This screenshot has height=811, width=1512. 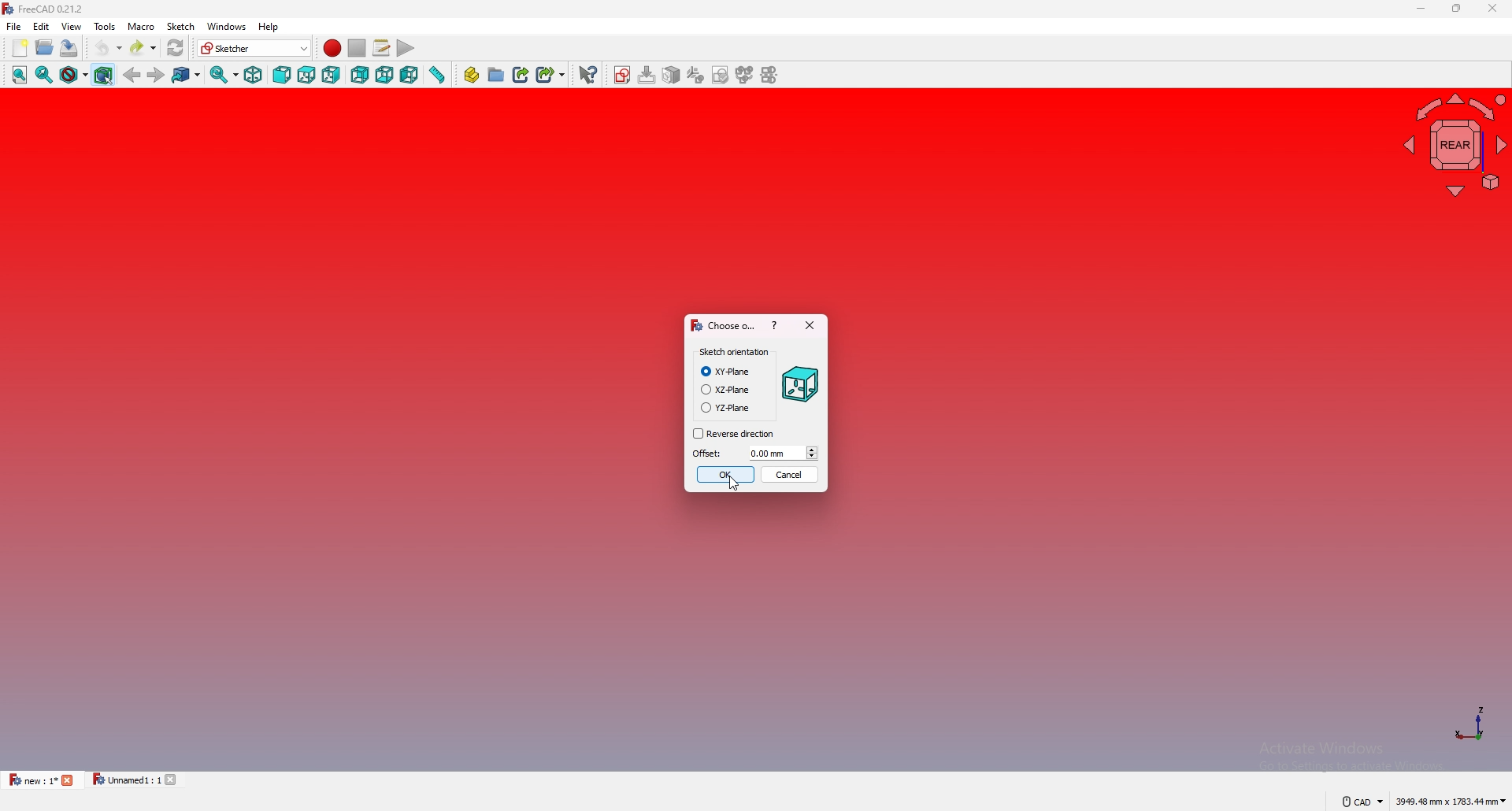 I want to click on bottom, so click(x=385, y=75).